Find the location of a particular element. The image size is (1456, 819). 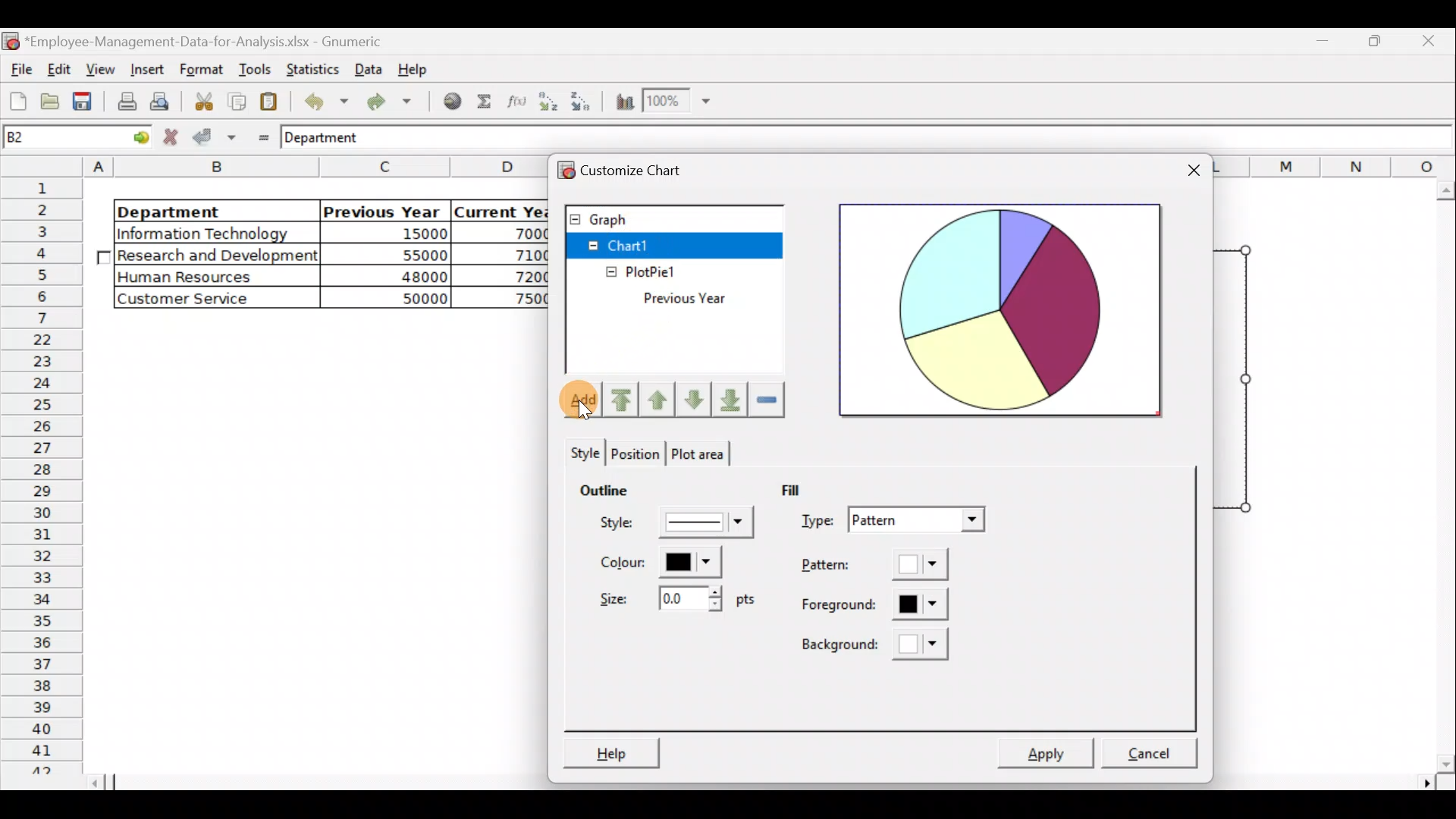

Save the current workbook is located at coordinates (83, 102).